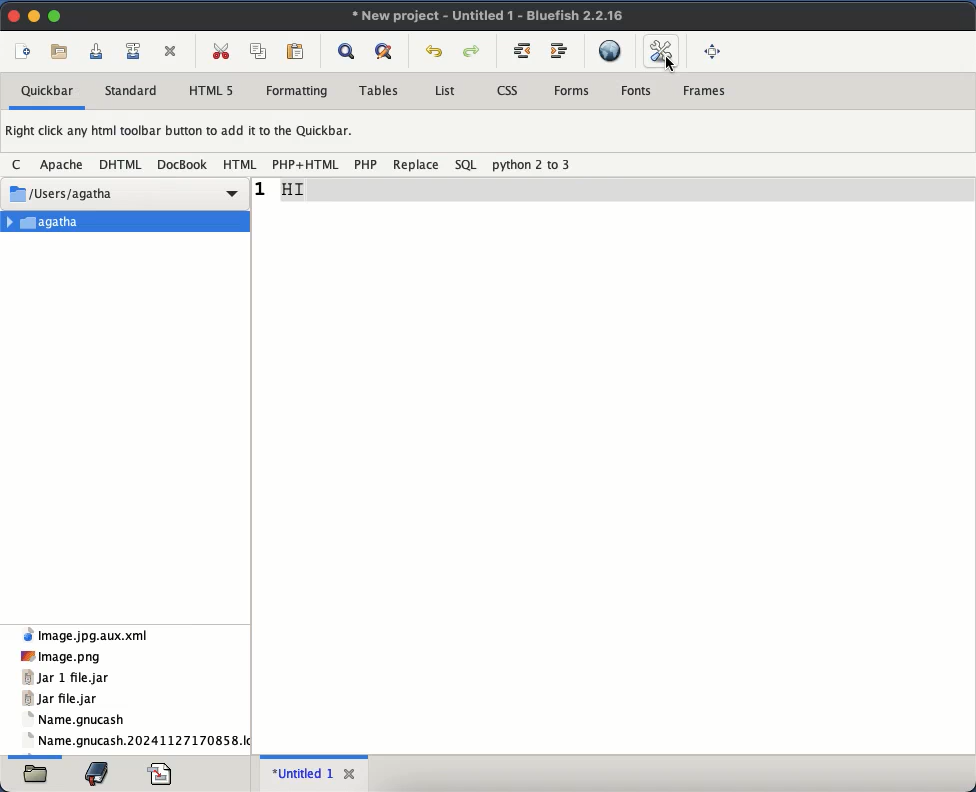  I want to click on hyperlink, so click(611, 49).